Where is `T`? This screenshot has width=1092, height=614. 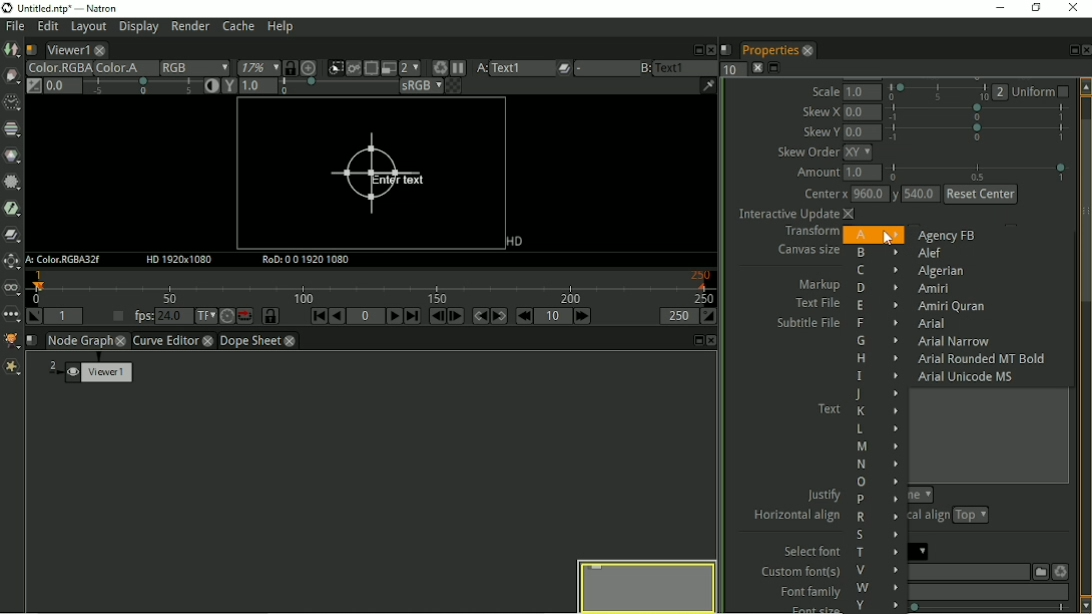 T is located at coordinates (877, 554).